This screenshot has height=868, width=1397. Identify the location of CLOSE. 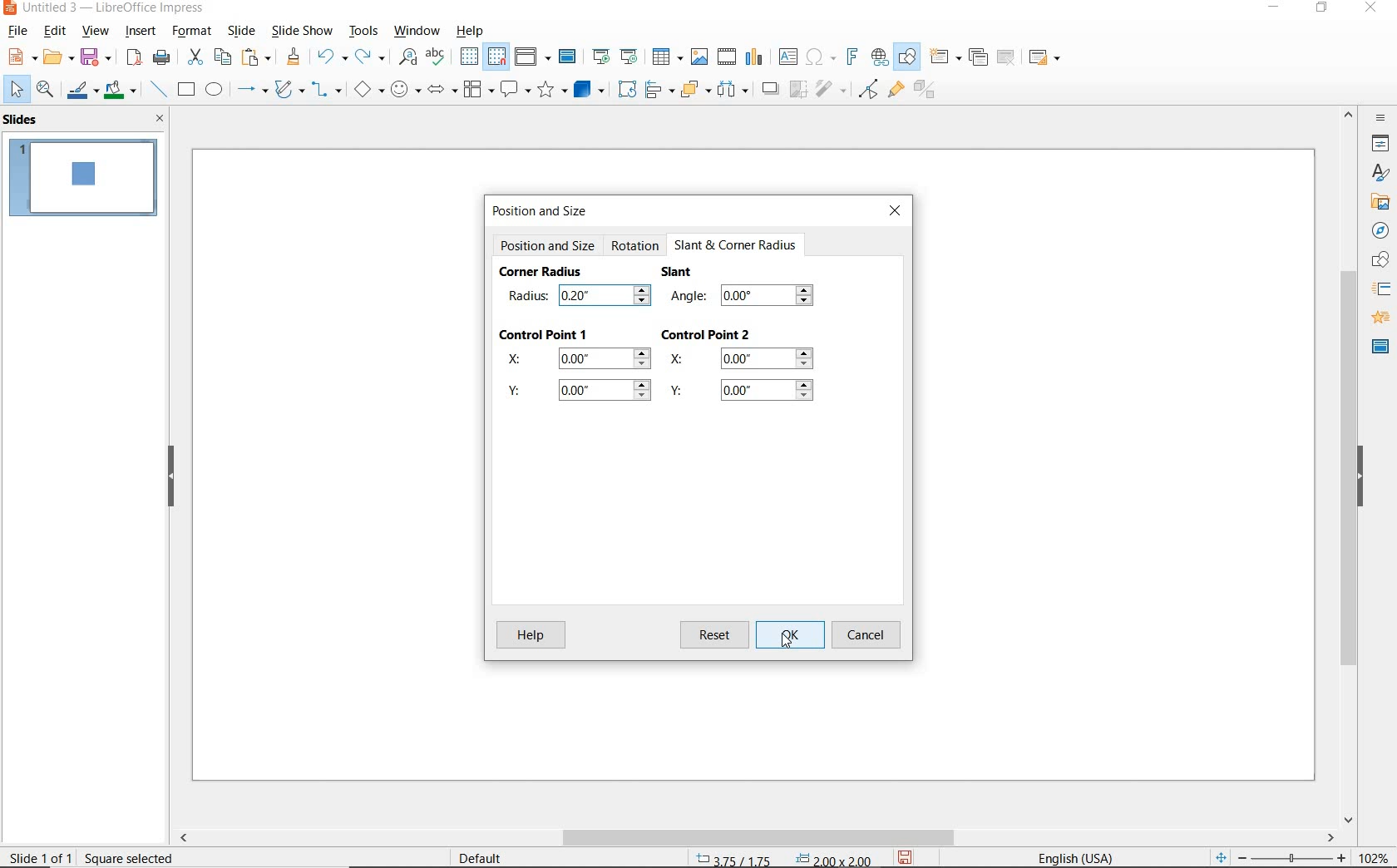
(896, 214).